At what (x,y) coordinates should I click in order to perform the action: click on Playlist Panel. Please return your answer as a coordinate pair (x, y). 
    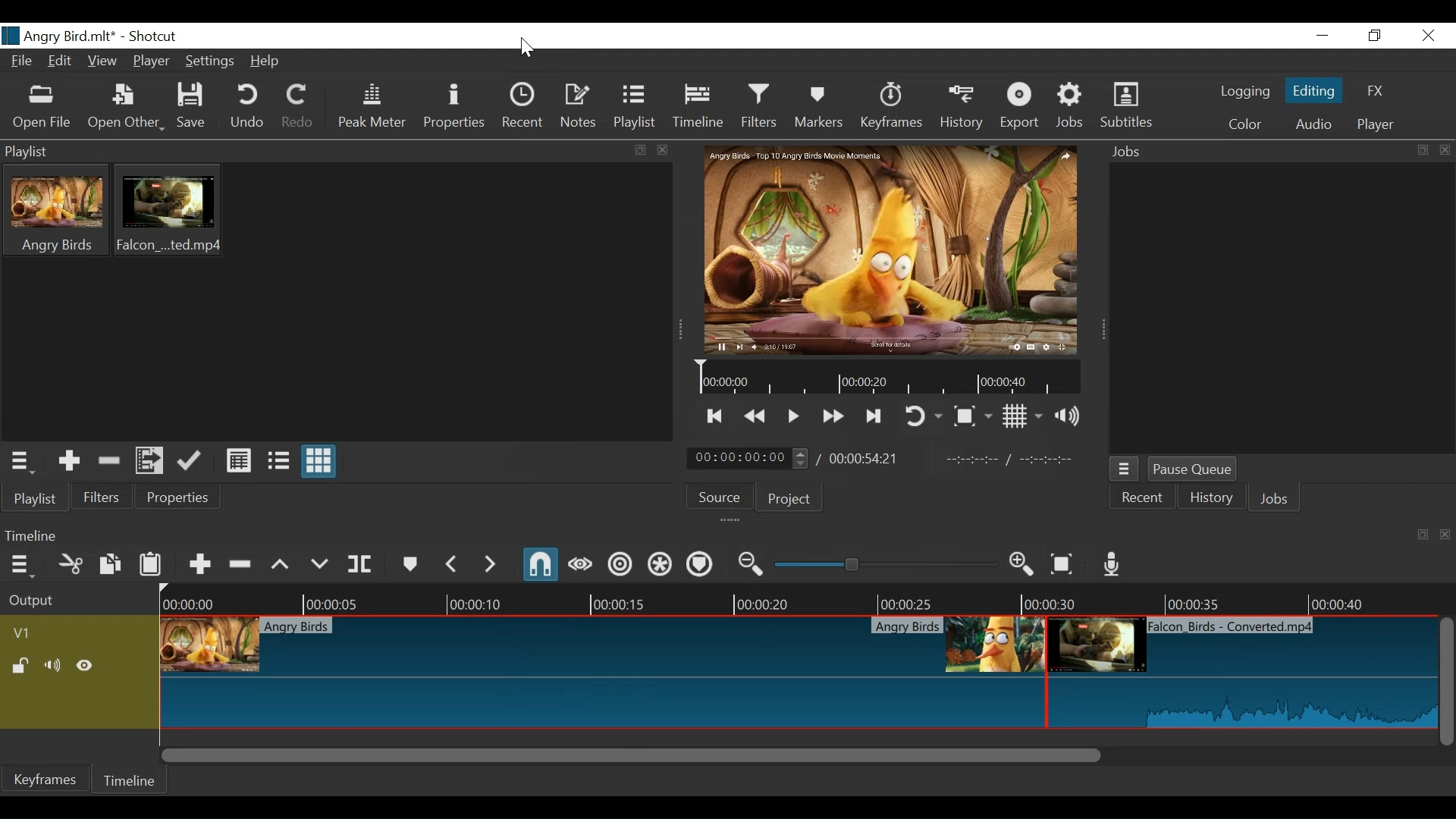
    Looking at the image, I should click on (337, 151).